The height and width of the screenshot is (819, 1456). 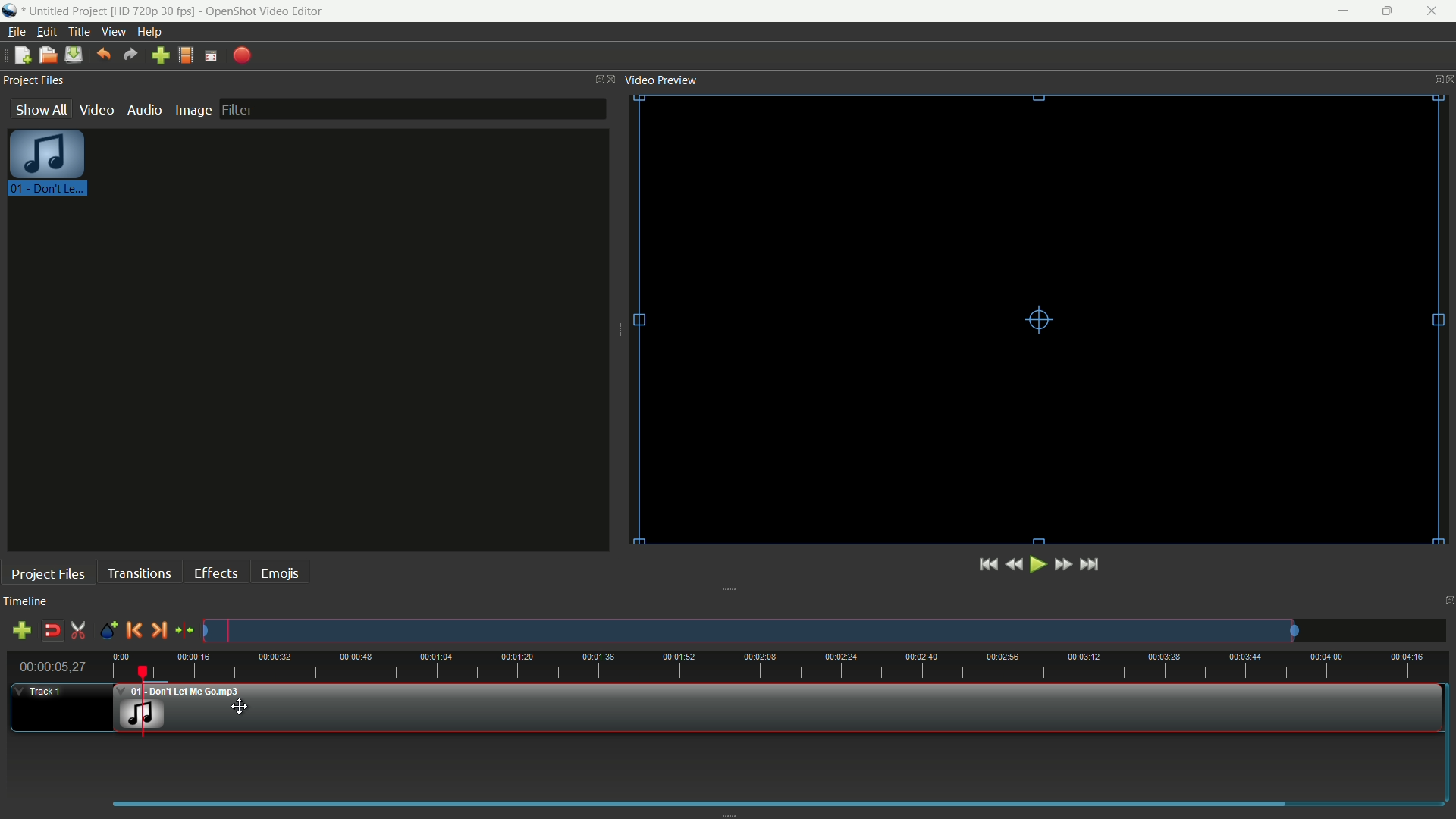 What do you see at coordinates (162, 56) in the screenshot?
I see `import file` at bounding box center [162, 56].